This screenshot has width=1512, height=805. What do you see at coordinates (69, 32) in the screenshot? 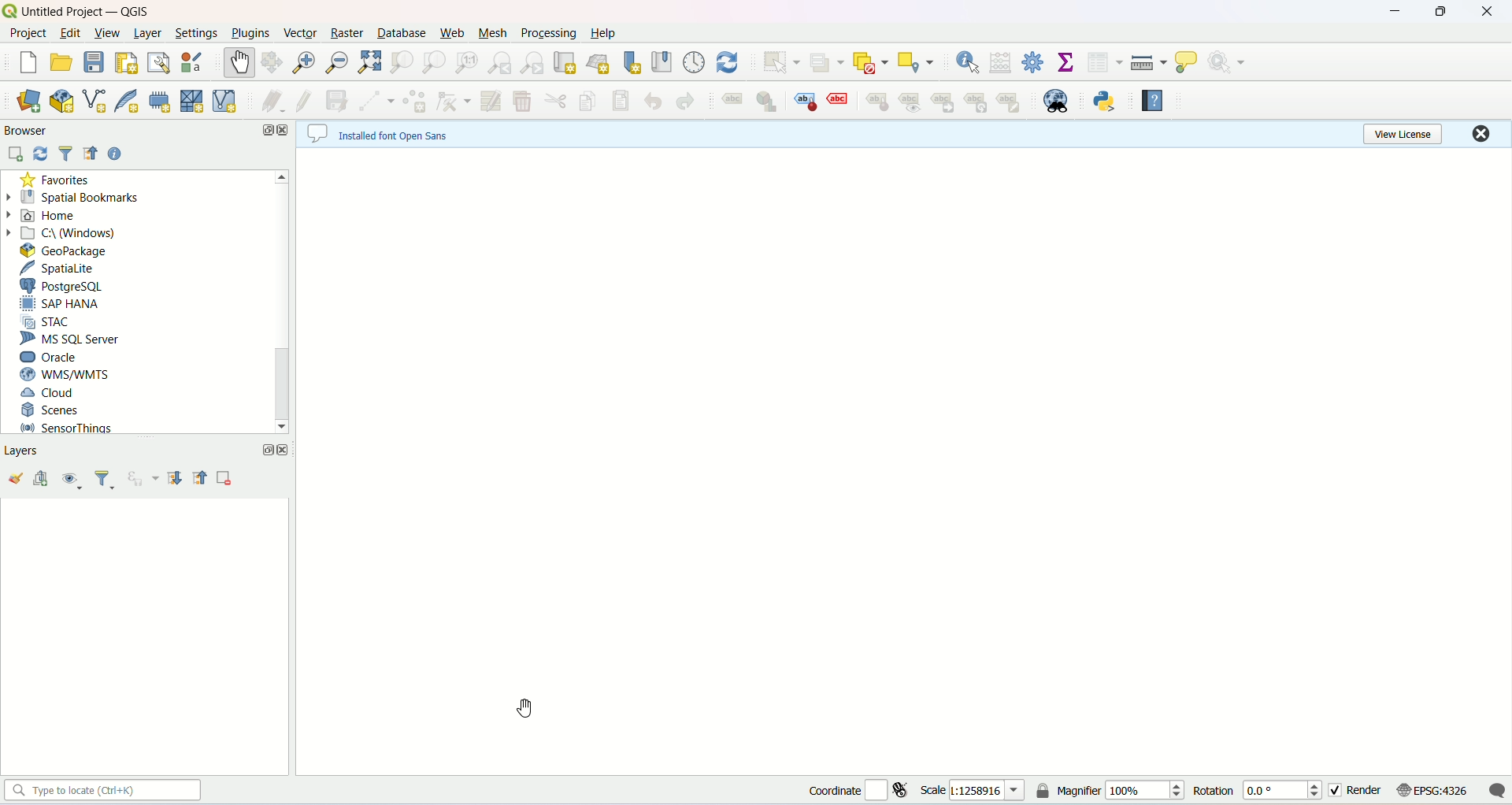
I see `edit` at bounding box center [69, 32].